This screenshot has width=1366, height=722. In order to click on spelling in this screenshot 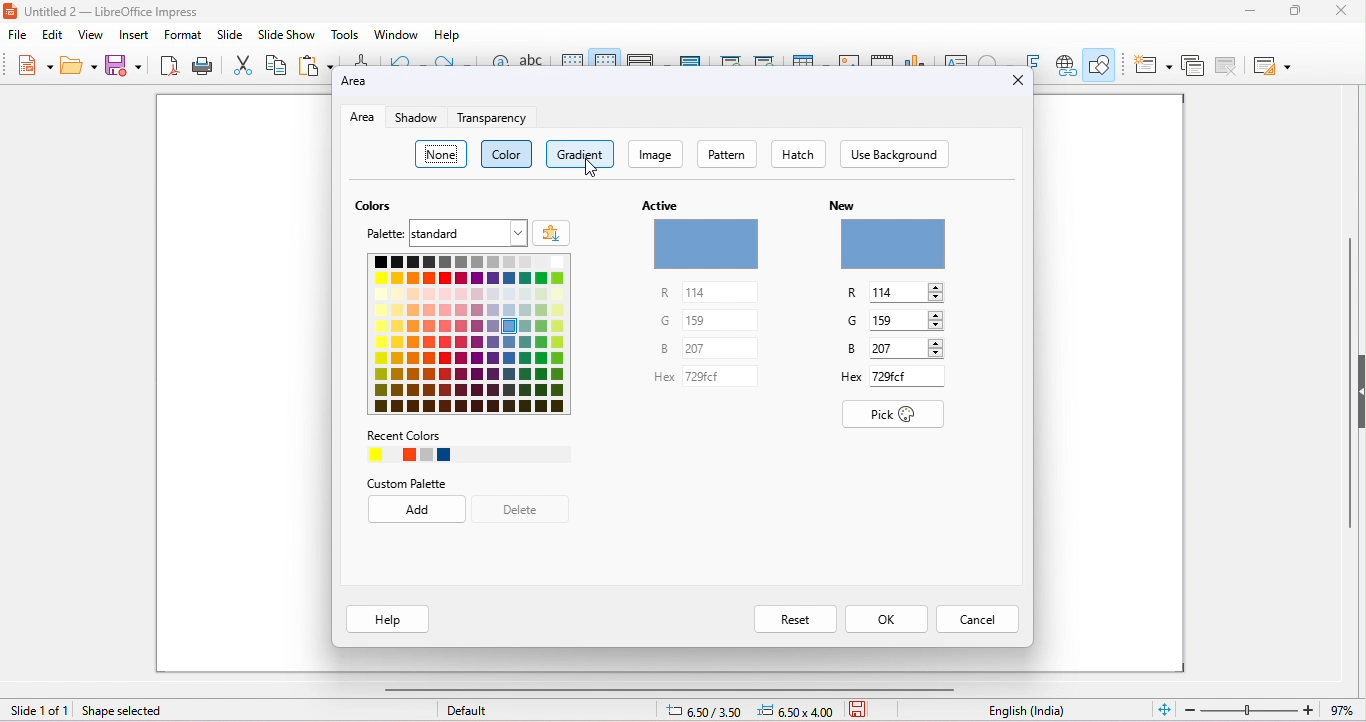, I will do `click(531, 58)`.